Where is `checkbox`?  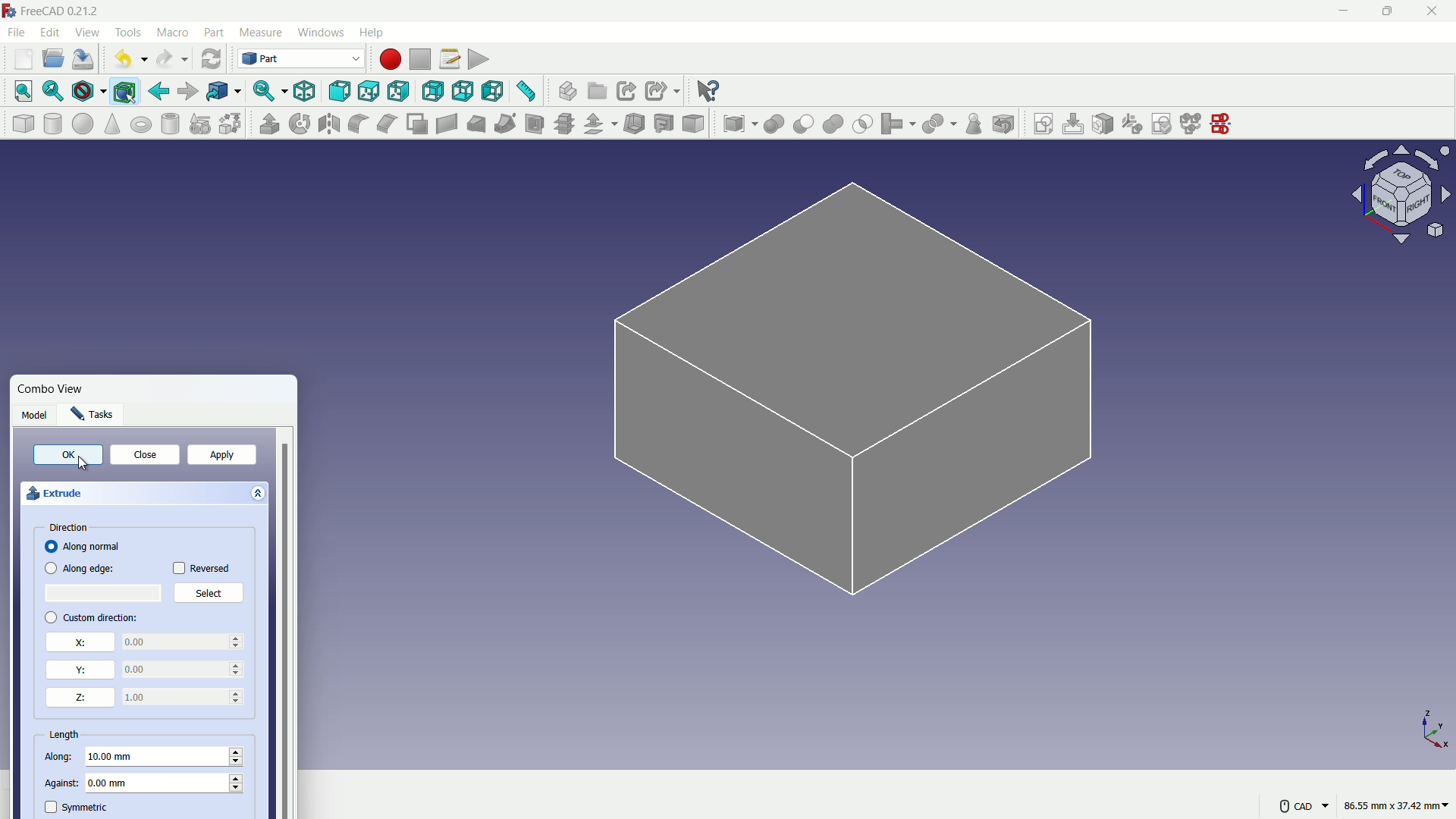
checkbox is located at coordinates (180, 567).